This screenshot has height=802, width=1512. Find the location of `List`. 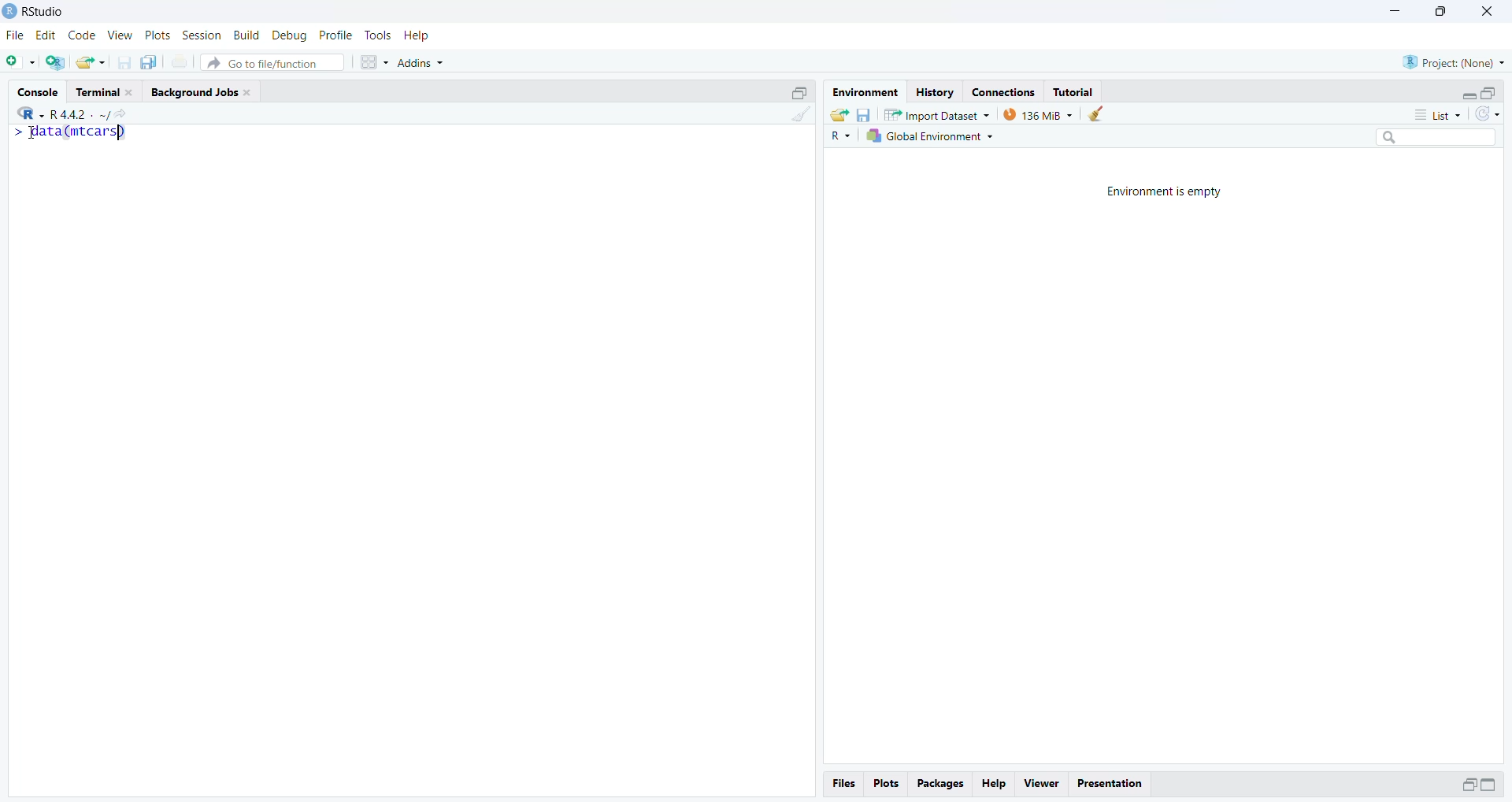

List is located at coordinates (1441, 115).